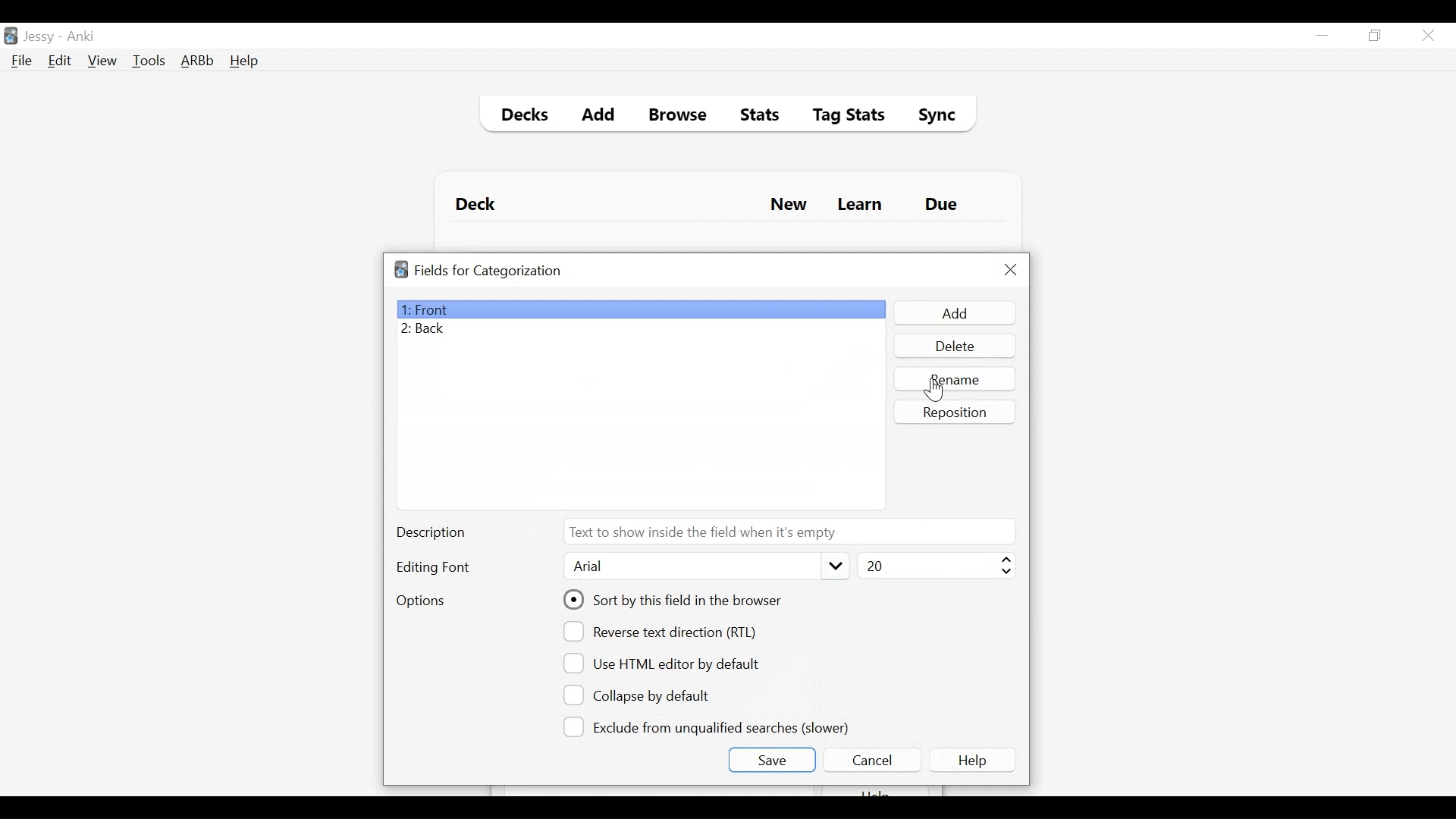 This screenshot has width=1456, height=819. I want to click on Due, so click(943, 205).